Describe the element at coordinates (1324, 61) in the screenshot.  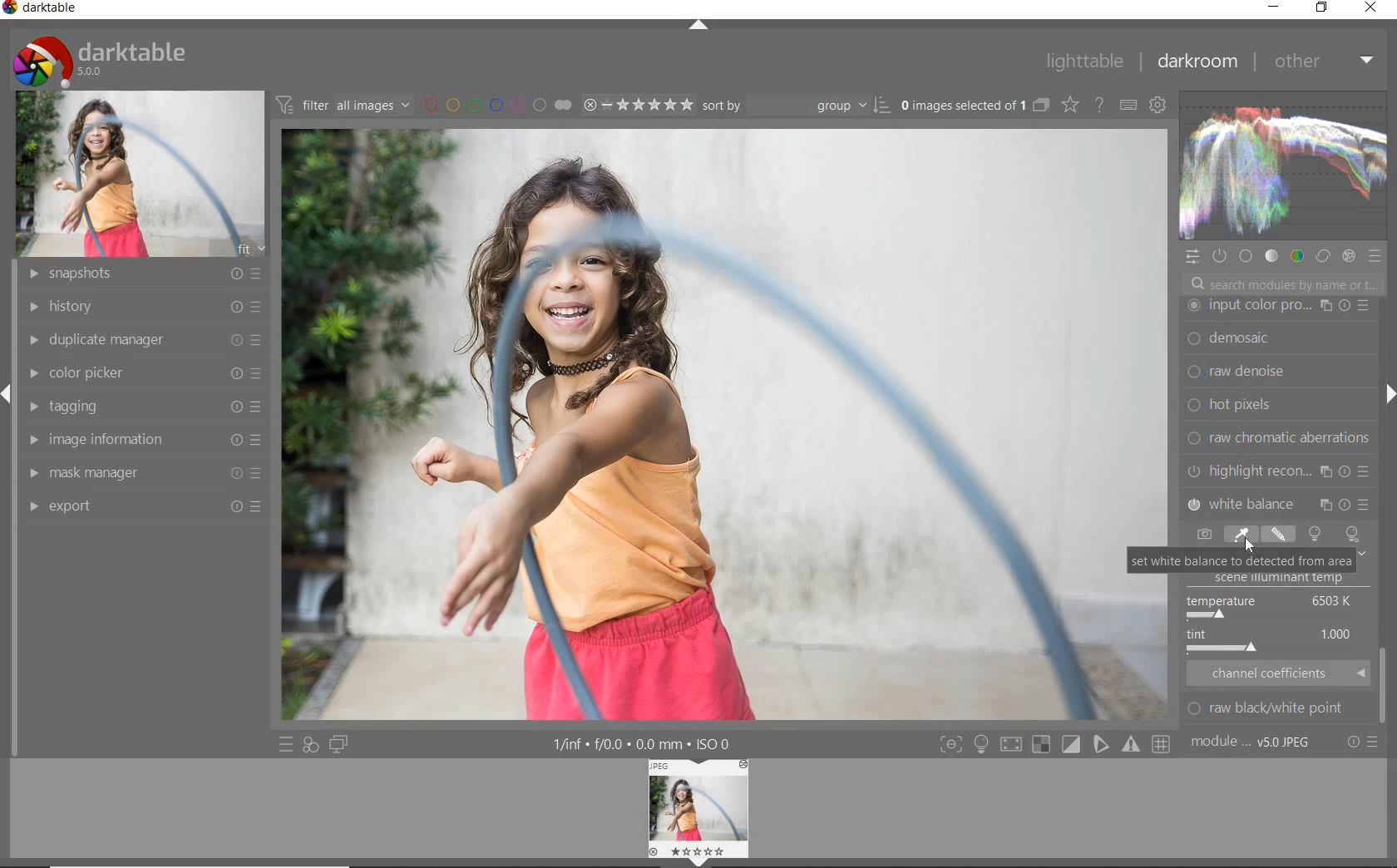
I see `other` at that location.